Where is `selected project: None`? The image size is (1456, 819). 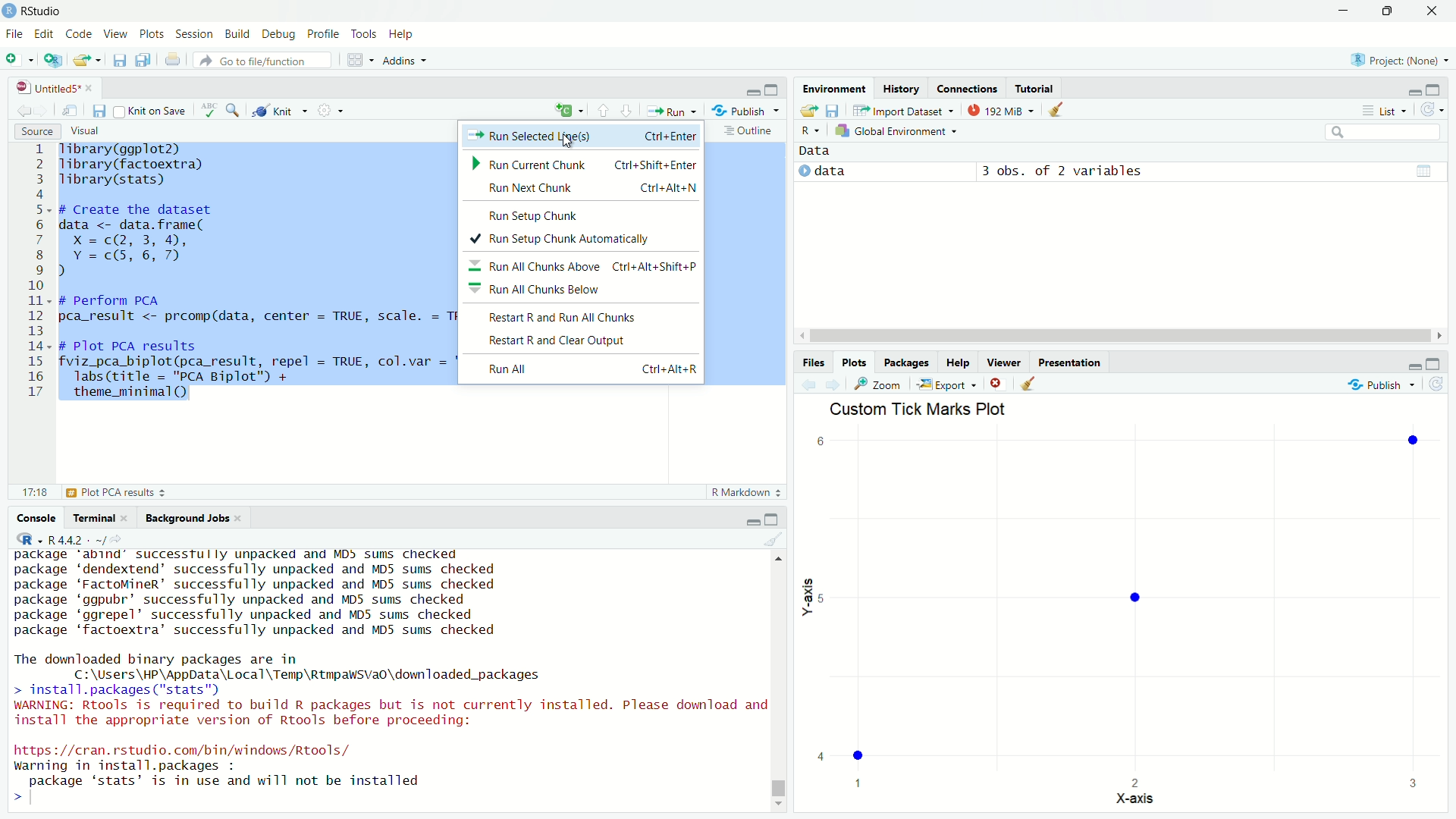 selected project: None is located at coordinates (1395, 59).